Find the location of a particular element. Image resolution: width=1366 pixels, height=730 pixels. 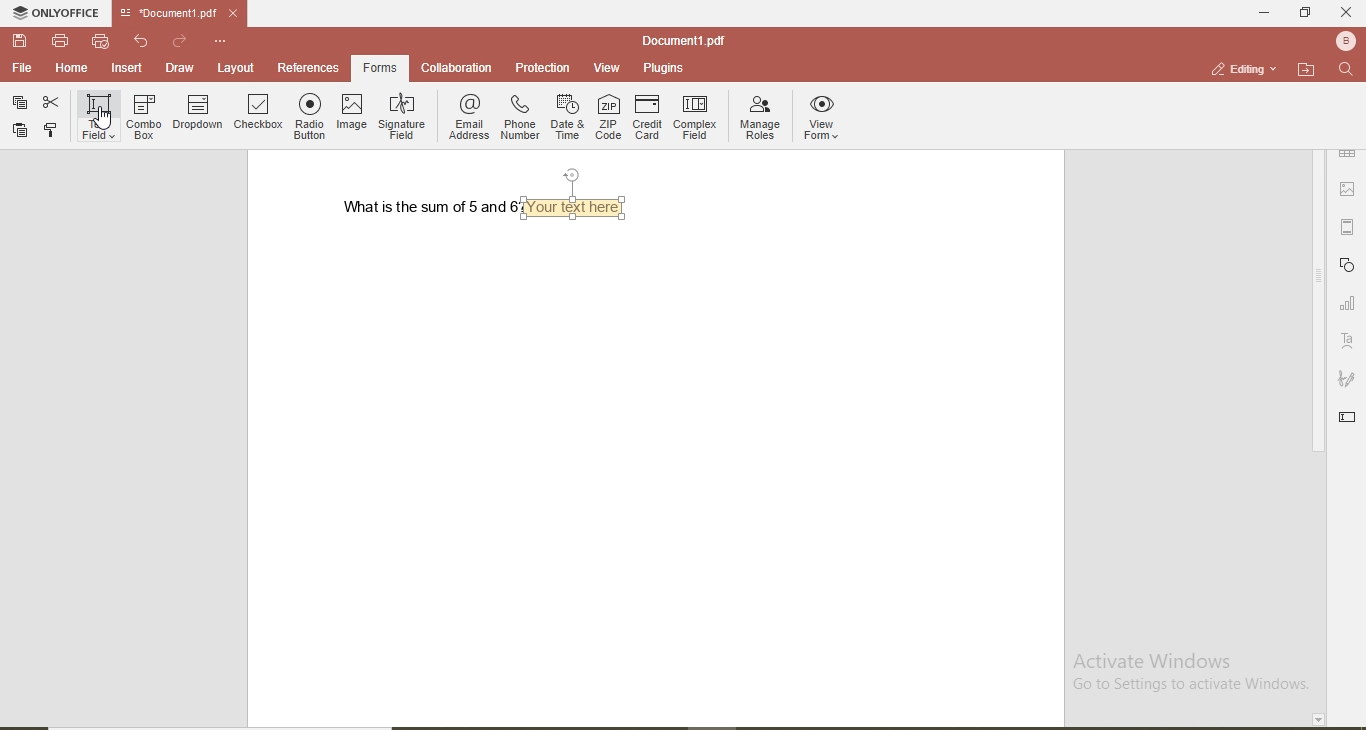

protection is located at coordinates (543, 68).